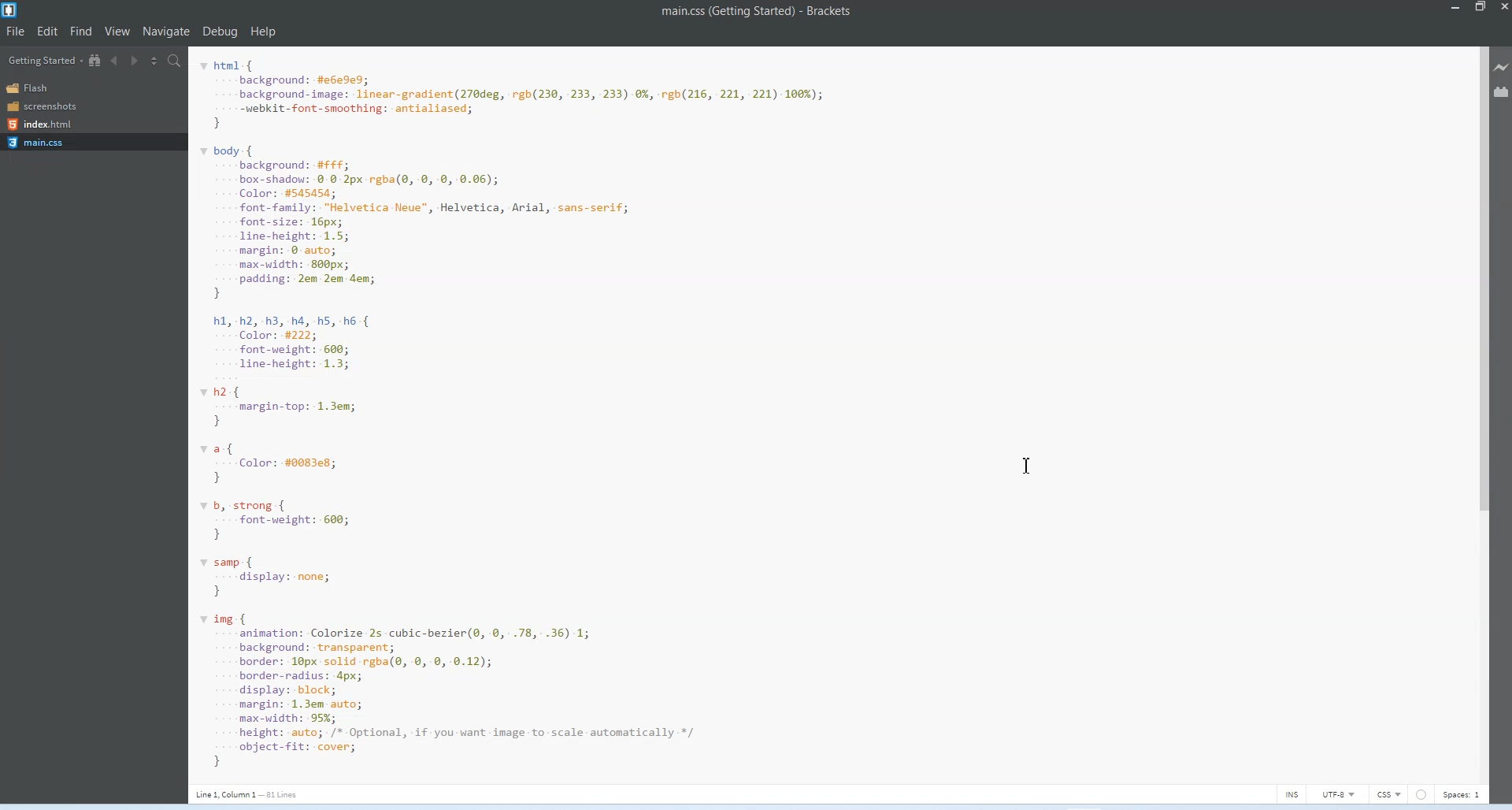 Image resolution: width=1512 pixels, height=810 pixels. I want to click on Help, so click(265, 32).